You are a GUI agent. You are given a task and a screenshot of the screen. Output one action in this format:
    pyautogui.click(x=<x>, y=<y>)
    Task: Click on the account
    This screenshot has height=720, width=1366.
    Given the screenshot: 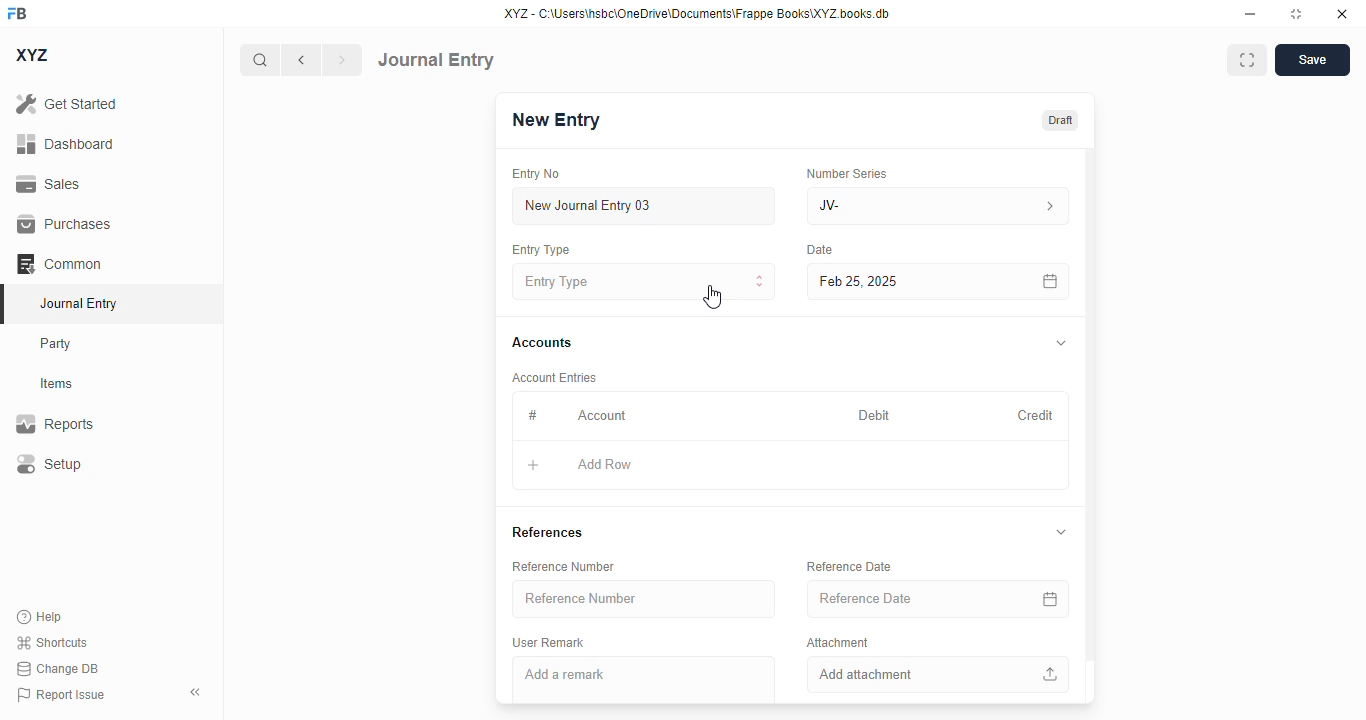 What is the action you would take?
    pyautogui.click(x=602, y=416)
    